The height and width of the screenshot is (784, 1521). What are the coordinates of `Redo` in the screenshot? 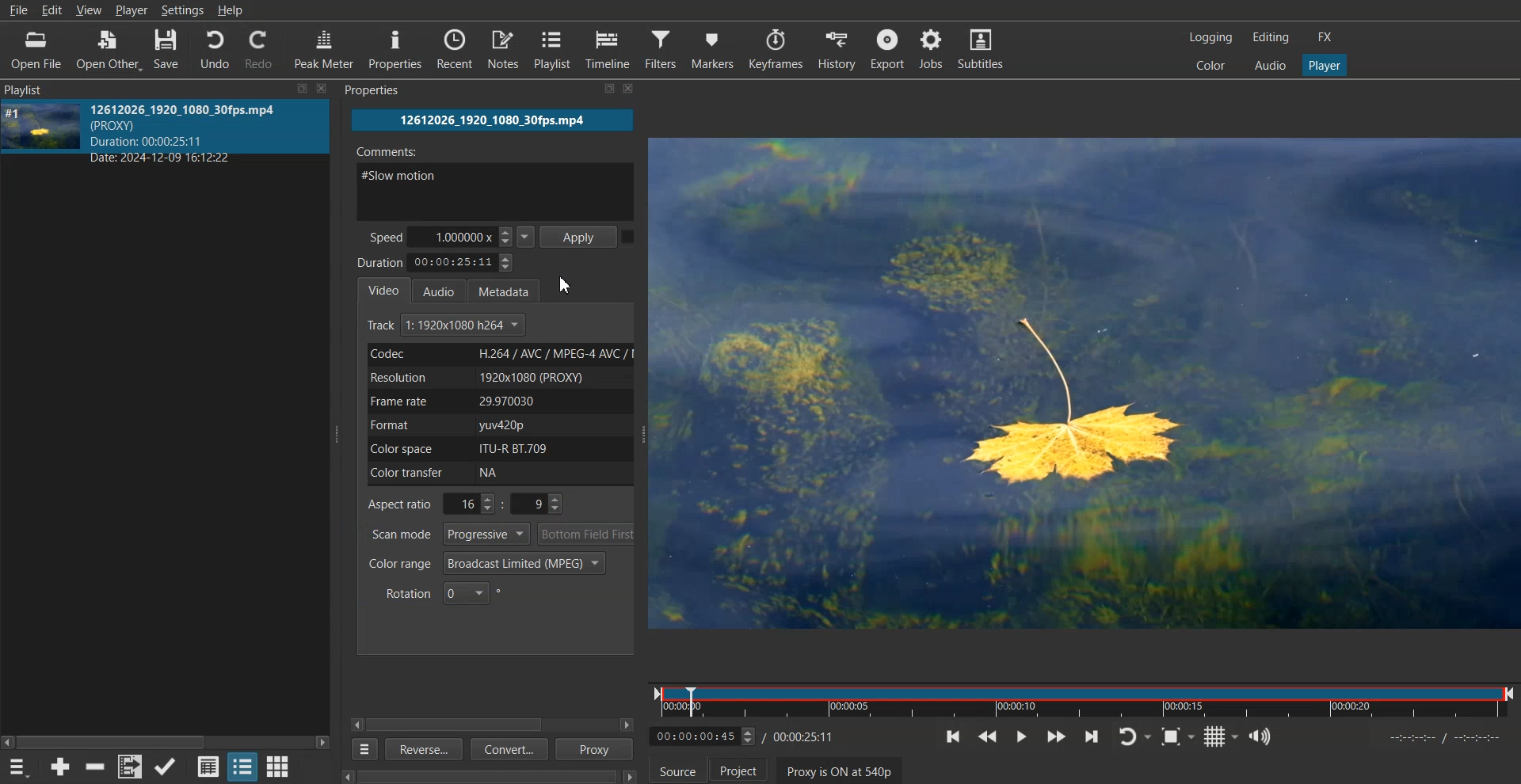 It's located at (262, 48).